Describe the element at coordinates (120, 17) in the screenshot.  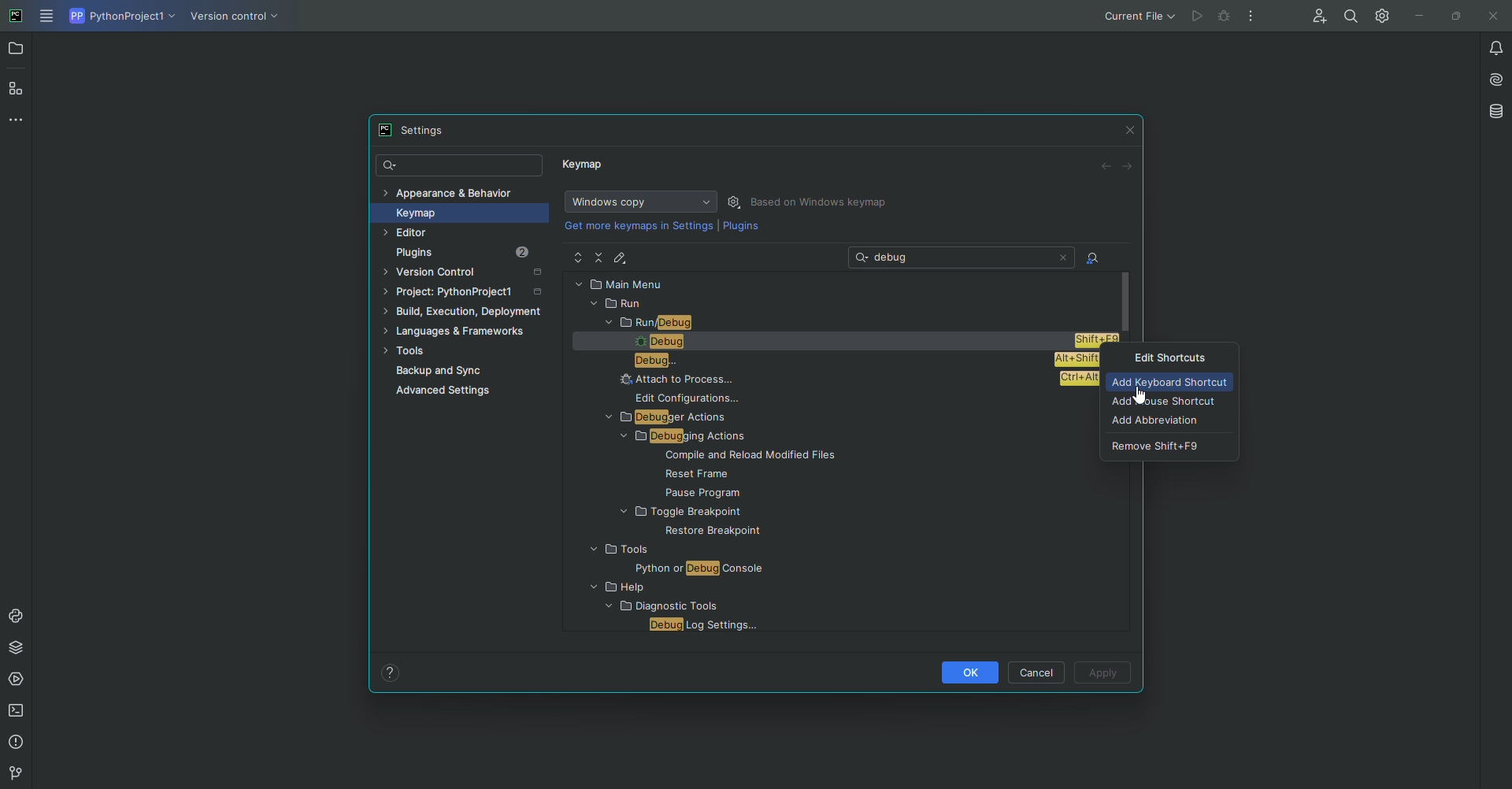
I see `Python project` at that location.